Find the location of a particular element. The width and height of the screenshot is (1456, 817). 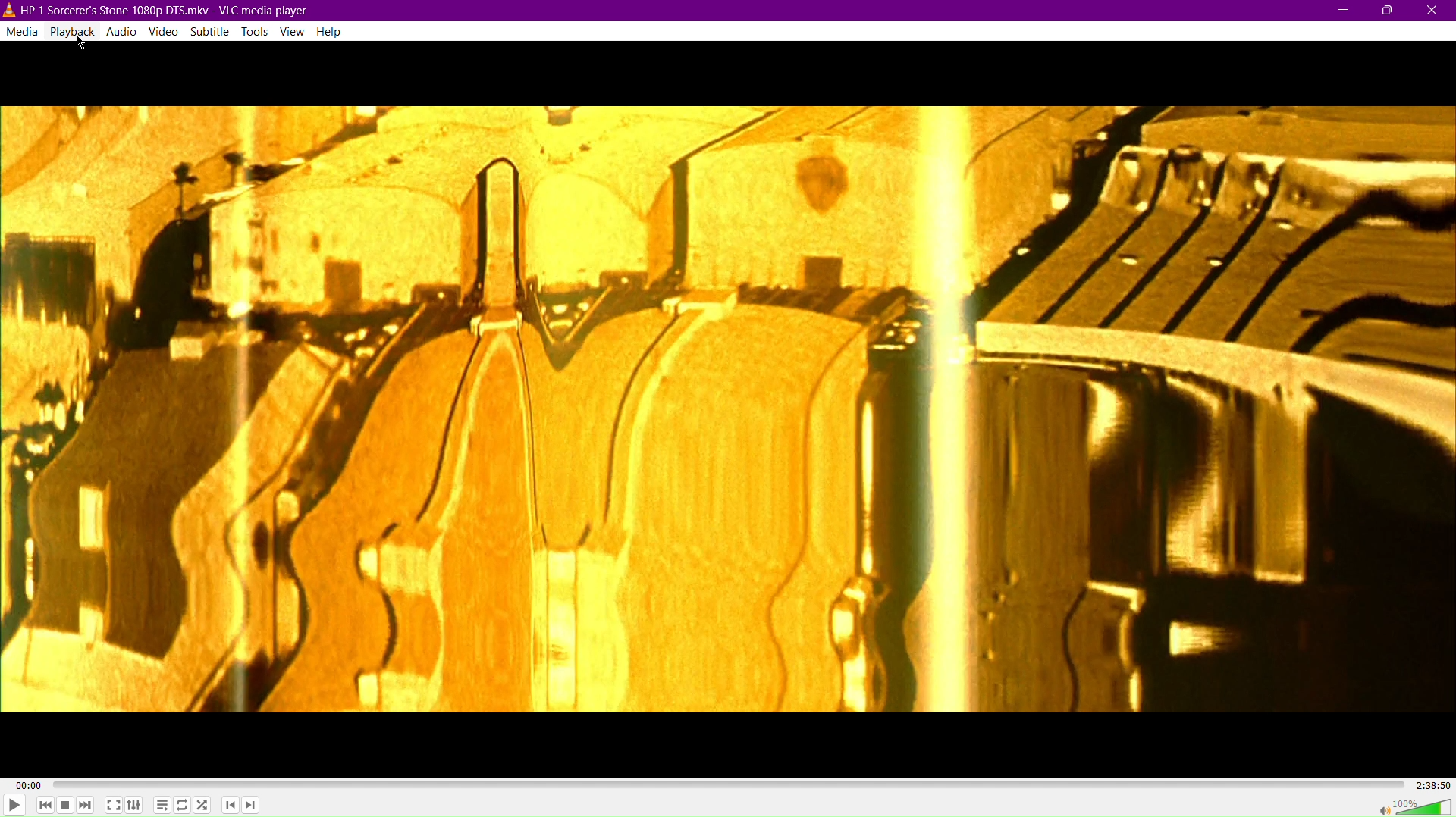

Tools is located at coordinates (255, 30).